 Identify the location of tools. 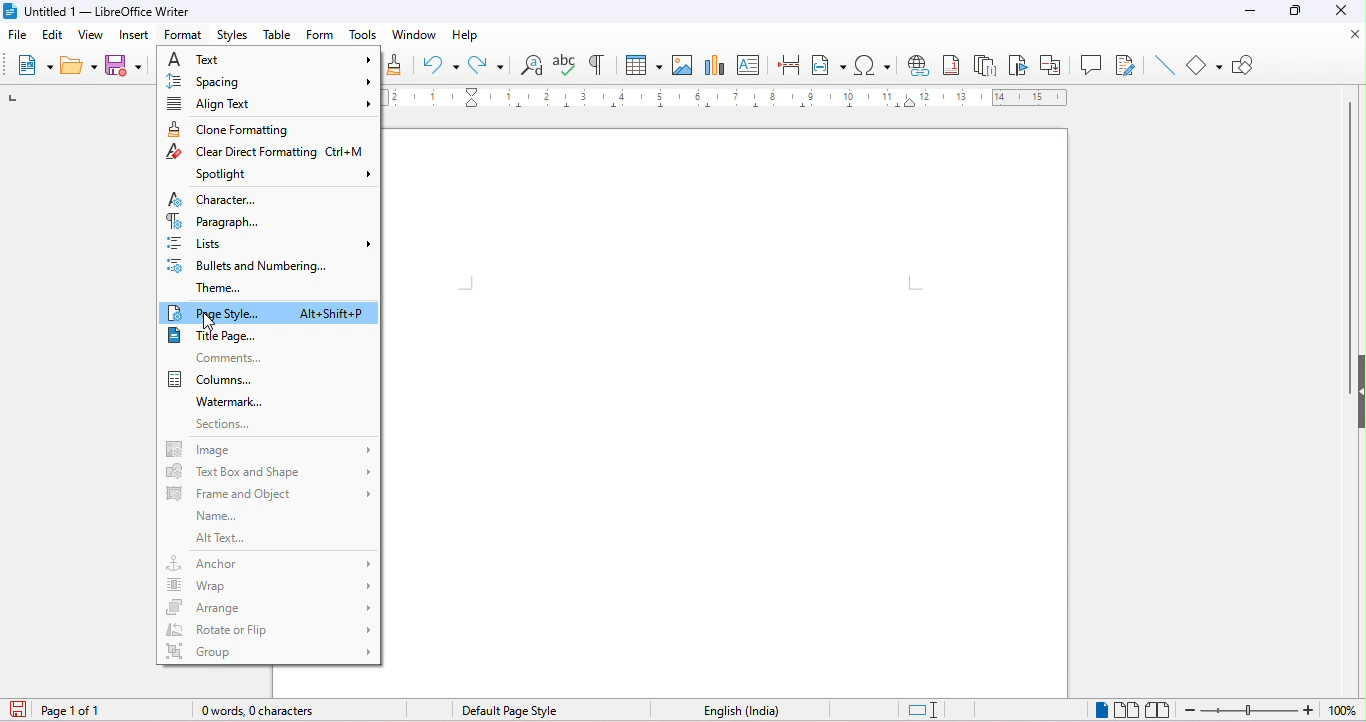
(362, 37).